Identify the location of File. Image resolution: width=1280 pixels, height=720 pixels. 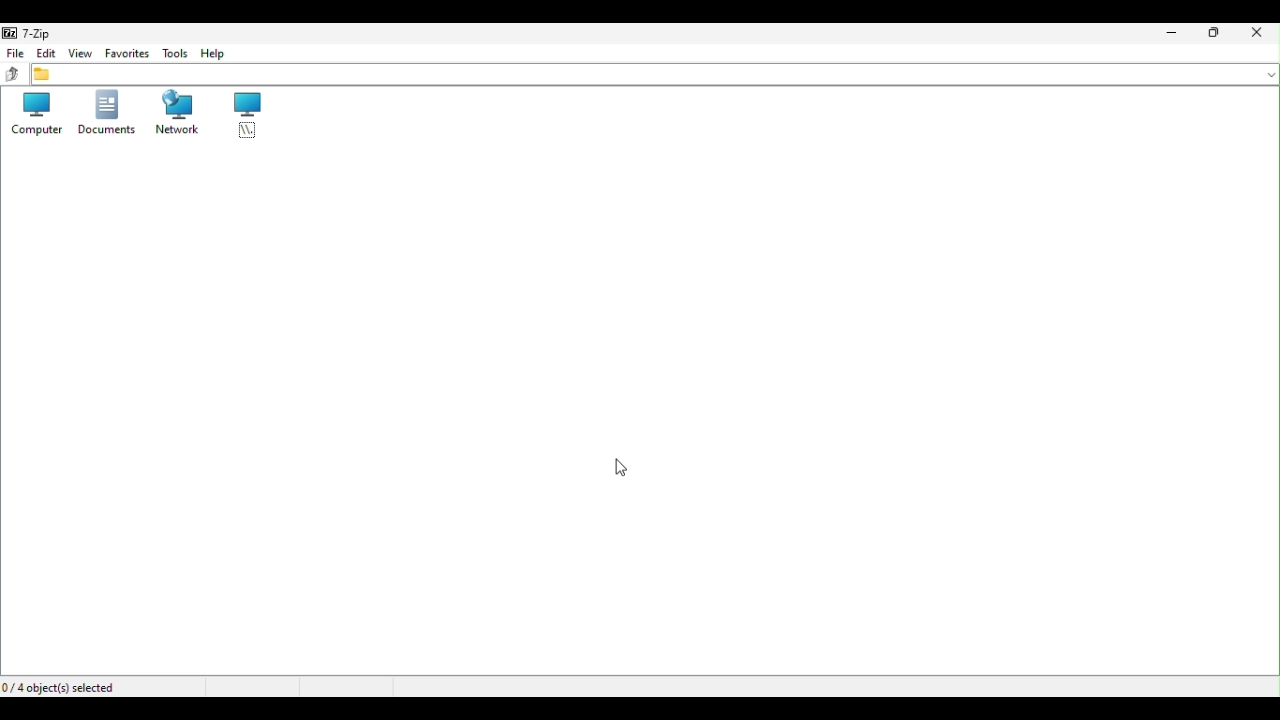
(14, 53).